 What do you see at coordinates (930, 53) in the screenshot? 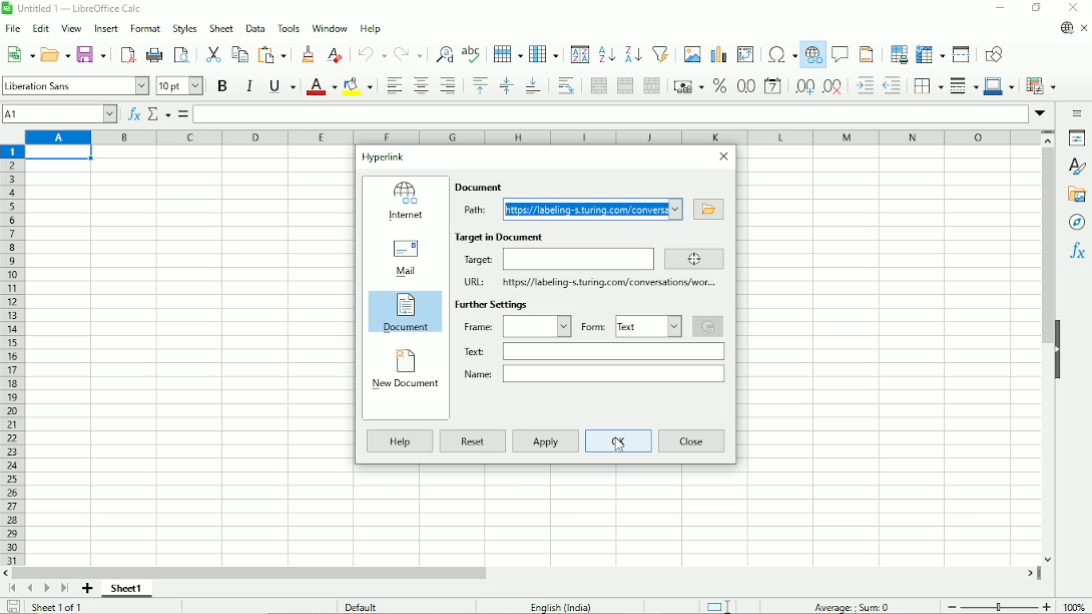
I see `Freeze rows and columns` at bounding box center [930, 53].